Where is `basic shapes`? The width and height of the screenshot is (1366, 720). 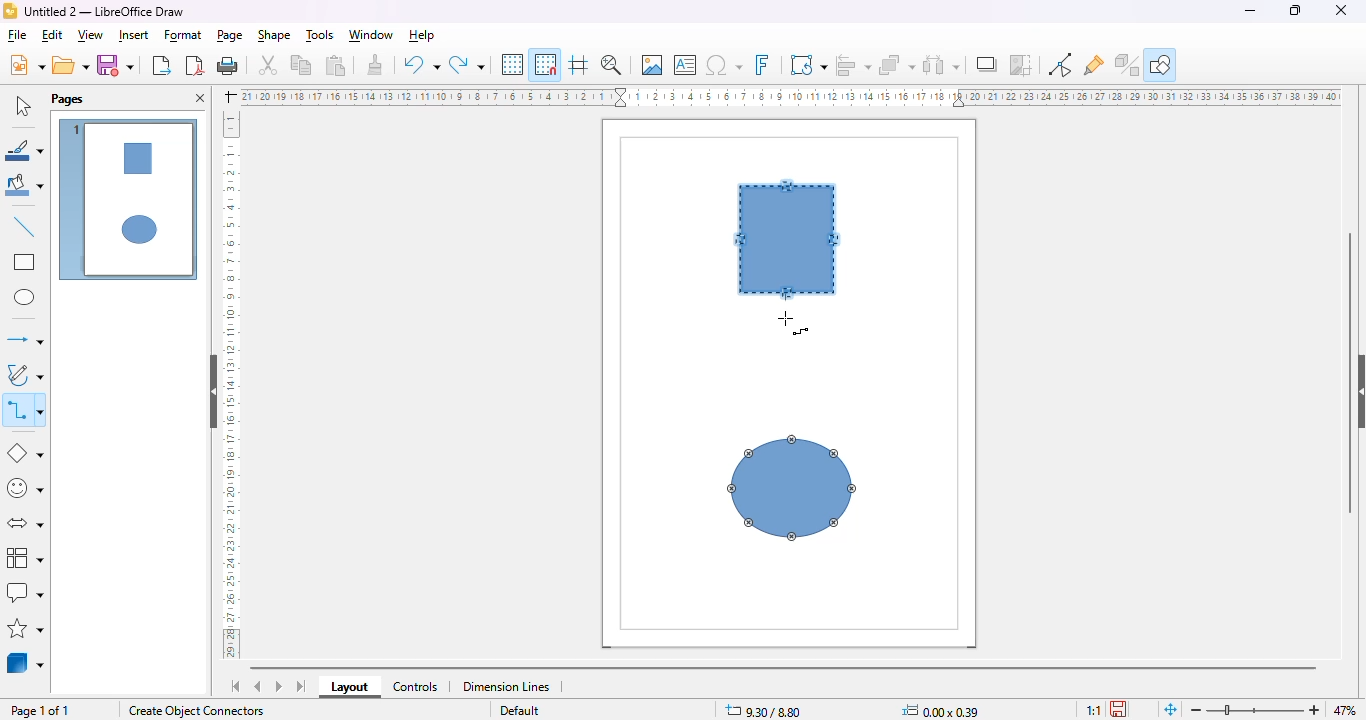 basic shapes is located at coordinates (26, 454).